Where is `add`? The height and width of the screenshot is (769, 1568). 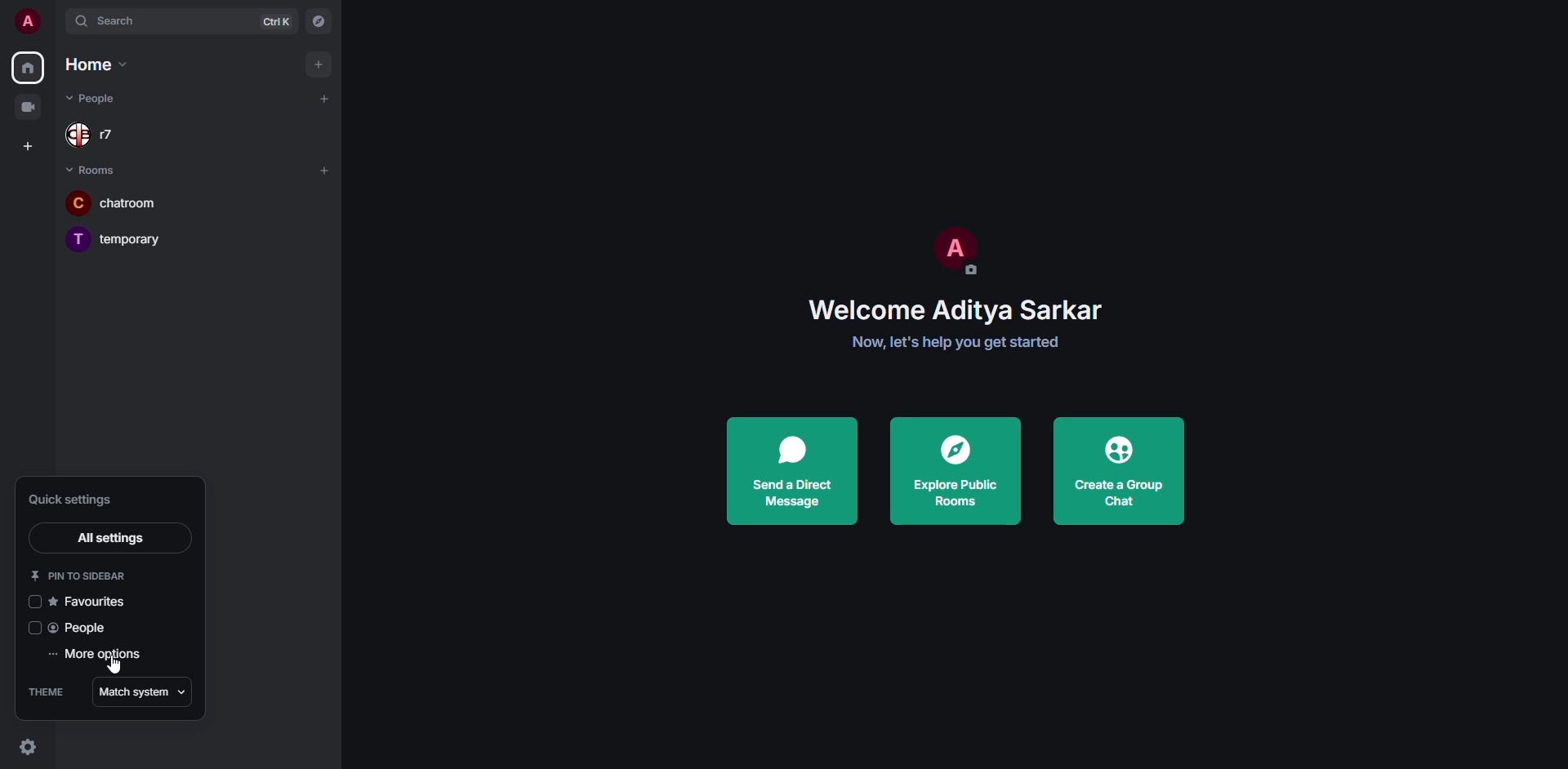 add is located at coordinates (319, 64).